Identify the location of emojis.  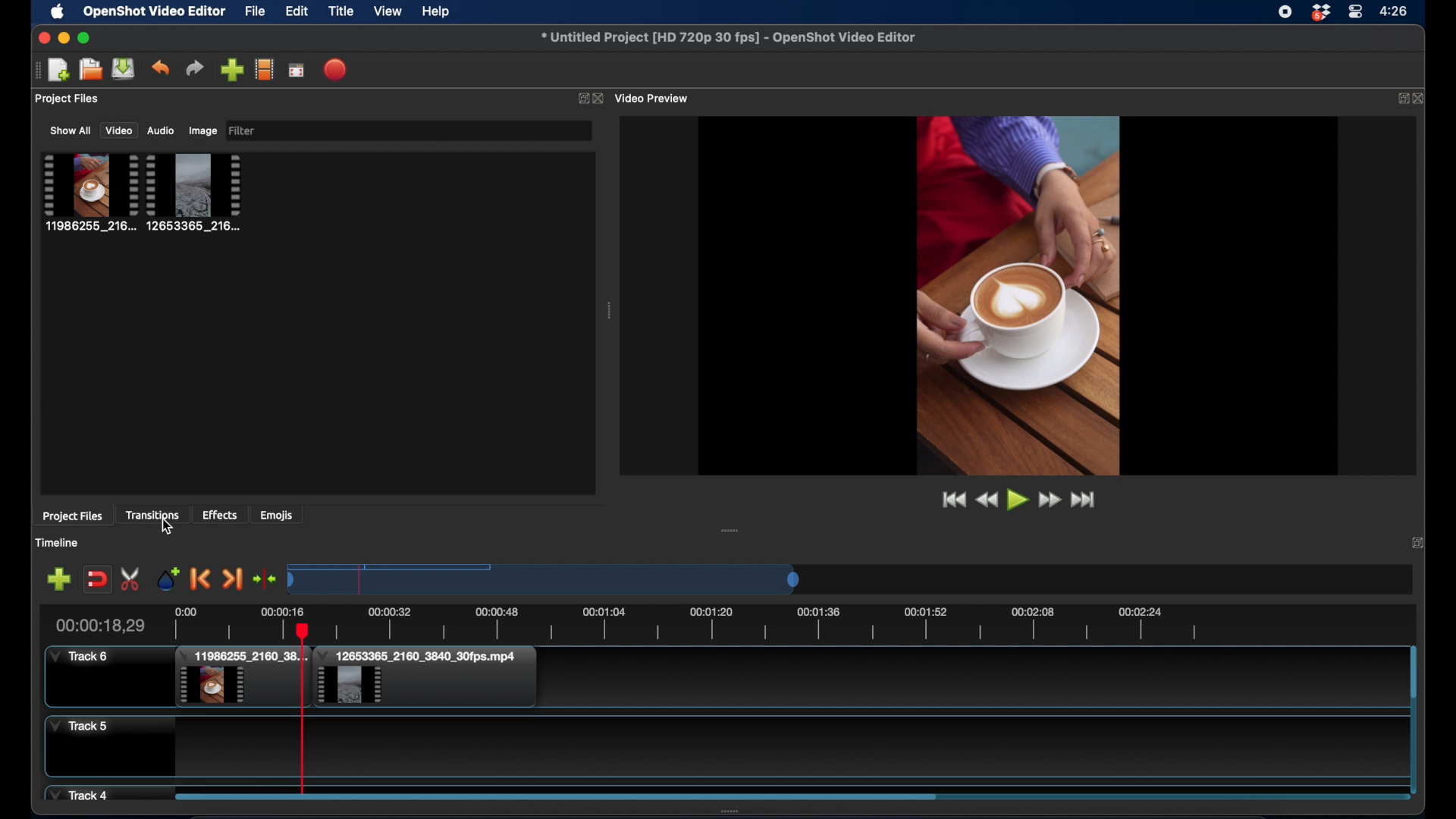
(277, 515).